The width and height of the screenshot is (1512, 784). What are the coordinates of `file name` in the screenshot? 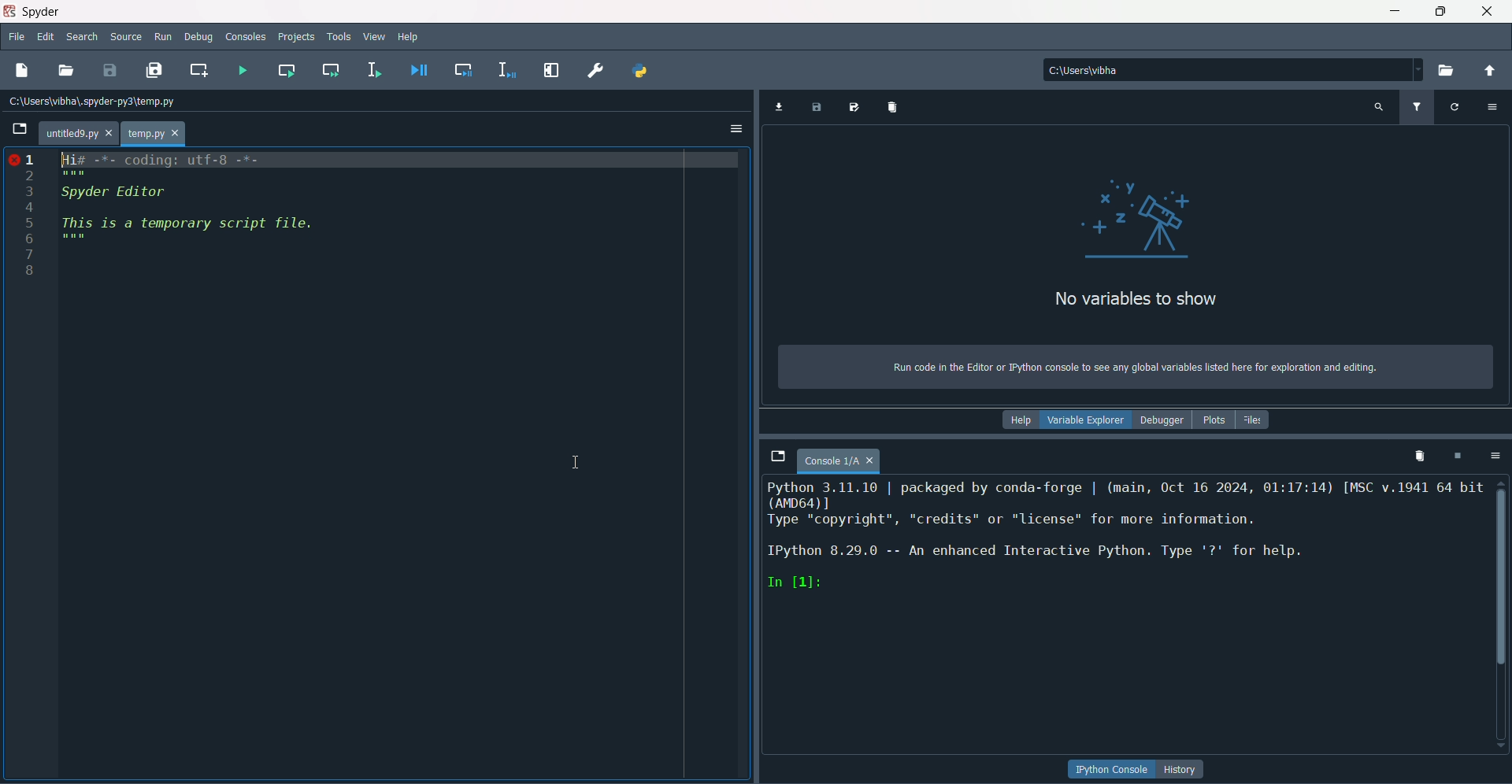 It's located at (157, 135).